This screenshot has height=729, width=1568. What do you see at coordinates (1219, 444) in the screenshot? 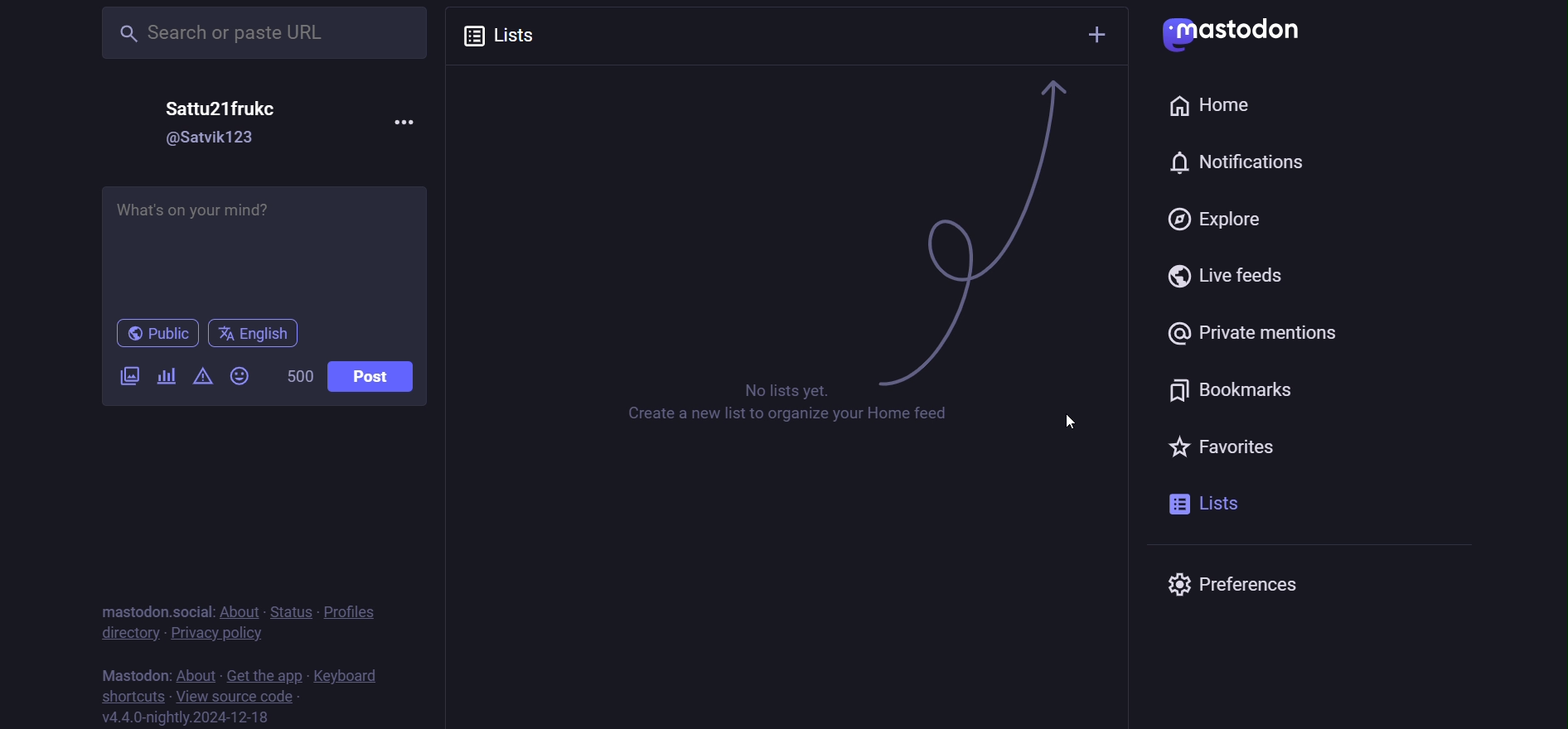
I see `favorites` at bounding box center [1219, 444].